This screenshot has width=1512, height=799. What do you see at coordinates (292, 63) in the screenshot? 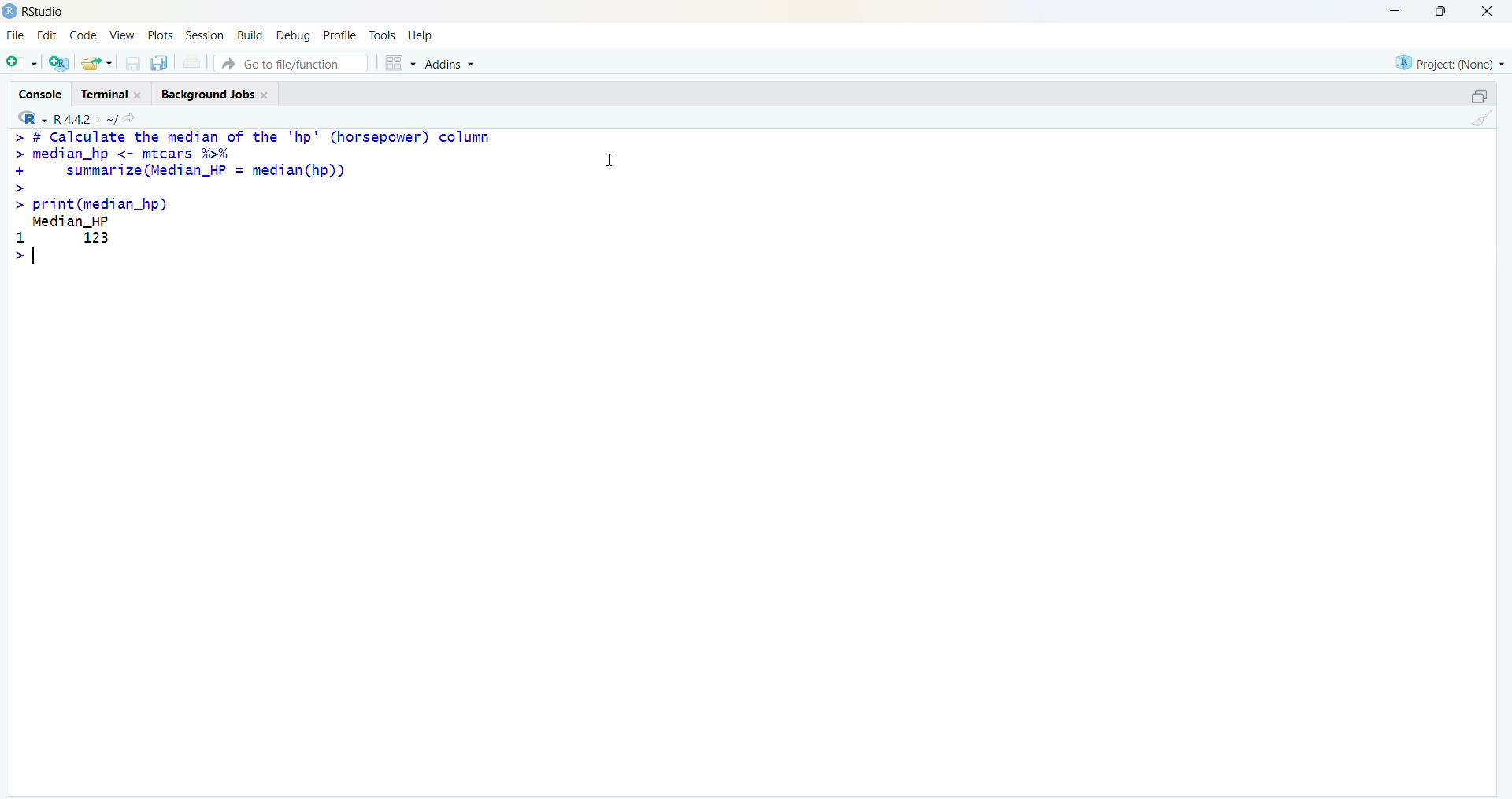
I see `go to file/function` at bounding box center [292, 63].